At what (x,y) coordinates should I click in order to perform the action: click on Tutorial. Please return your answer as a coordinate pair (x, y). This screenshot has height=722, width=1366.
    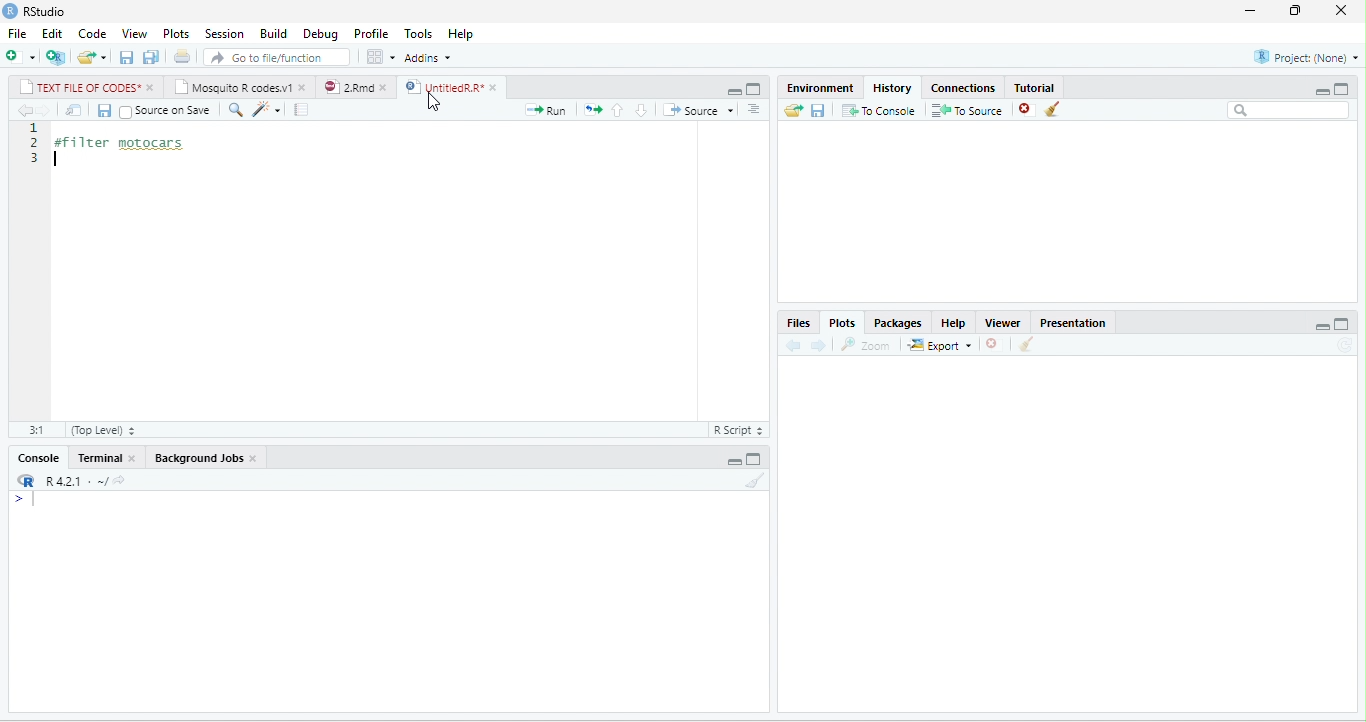
    Looking at the image, I should click on (1033, 87).